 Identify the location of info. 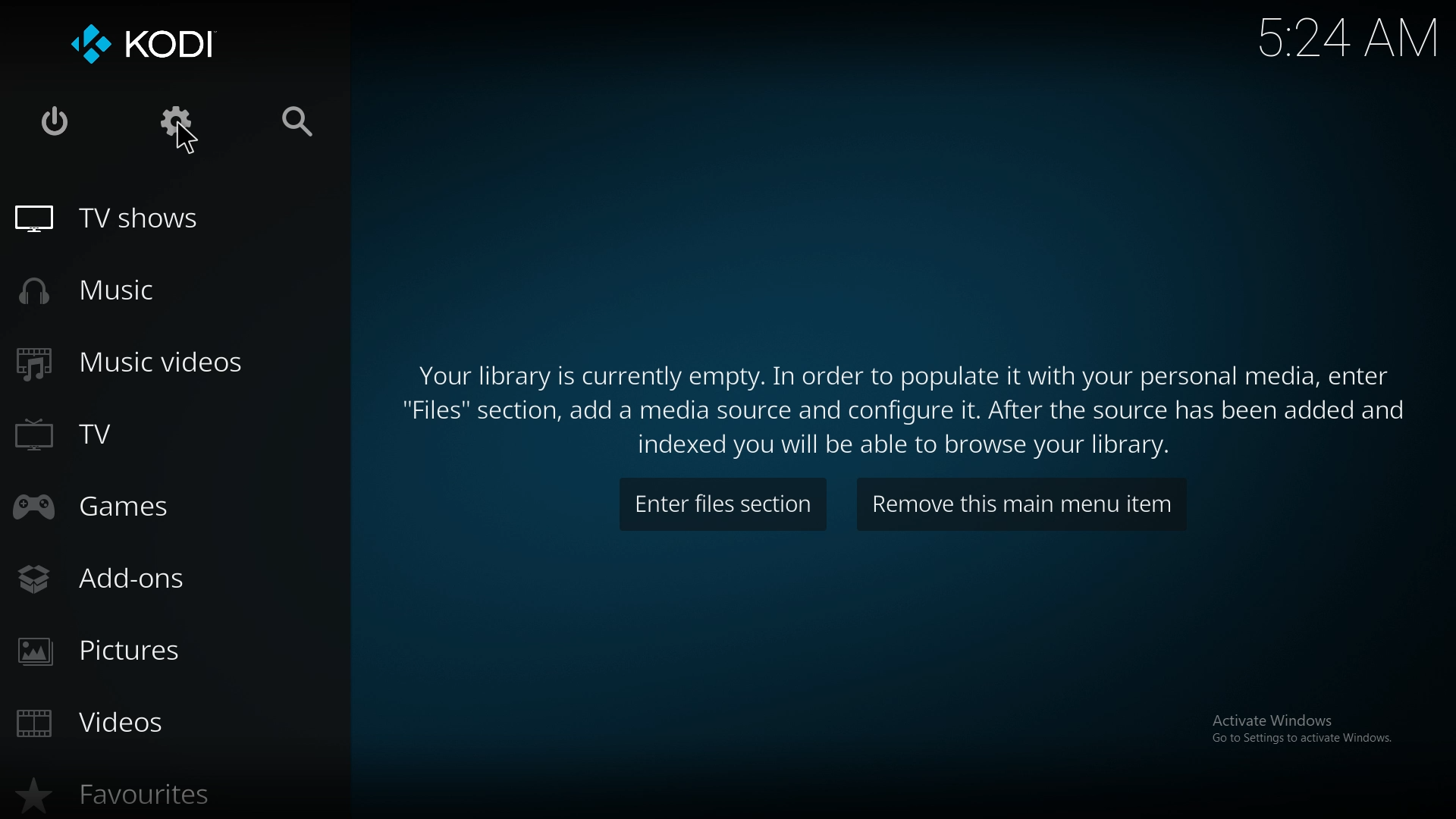
(912, 406).